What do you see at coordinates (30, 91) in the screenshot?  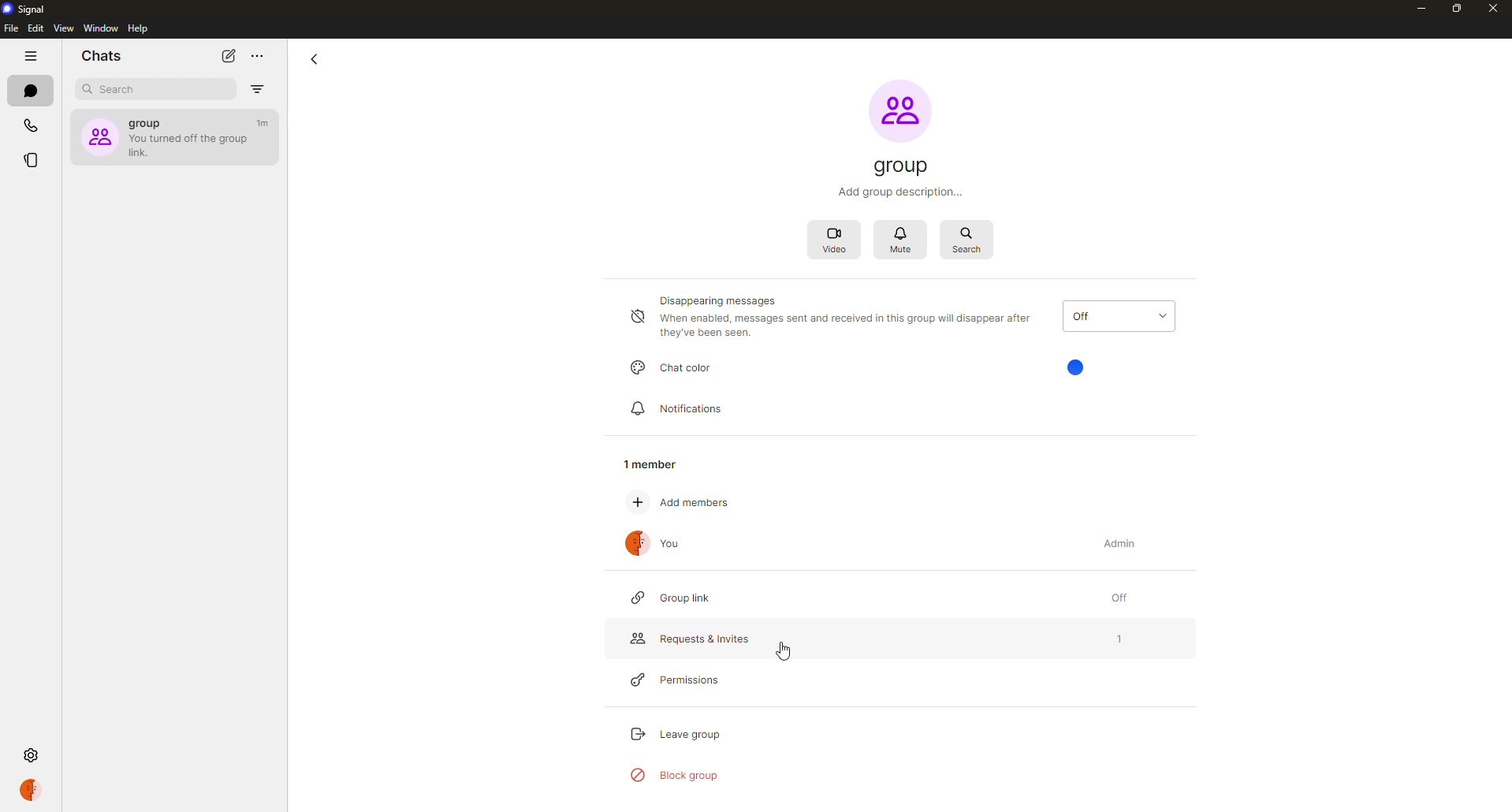 I see `chats` at bounding box center [30, 91].